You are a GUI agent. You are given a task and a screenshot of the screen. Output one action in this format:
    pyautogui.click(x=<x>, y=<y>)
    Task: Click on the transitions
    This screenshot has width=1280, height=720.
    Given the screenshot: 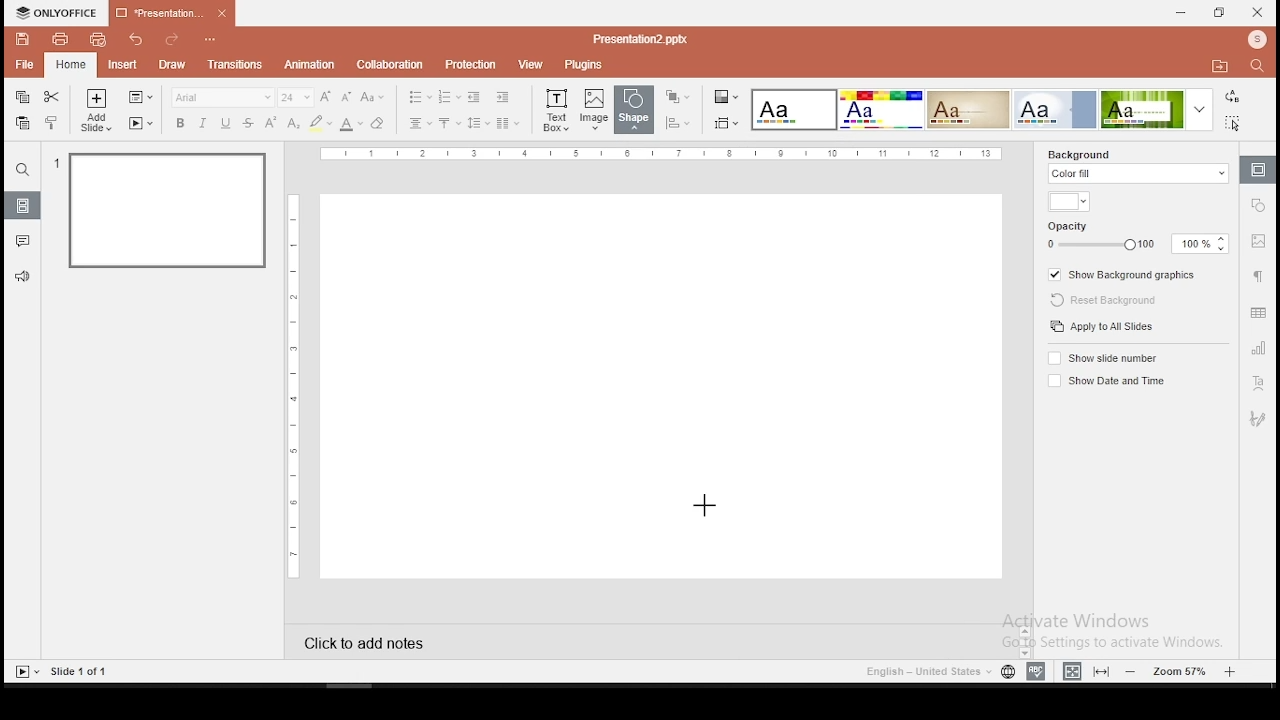 What is the action you would take?
    pyautogui.click(x=235, y=67)
    